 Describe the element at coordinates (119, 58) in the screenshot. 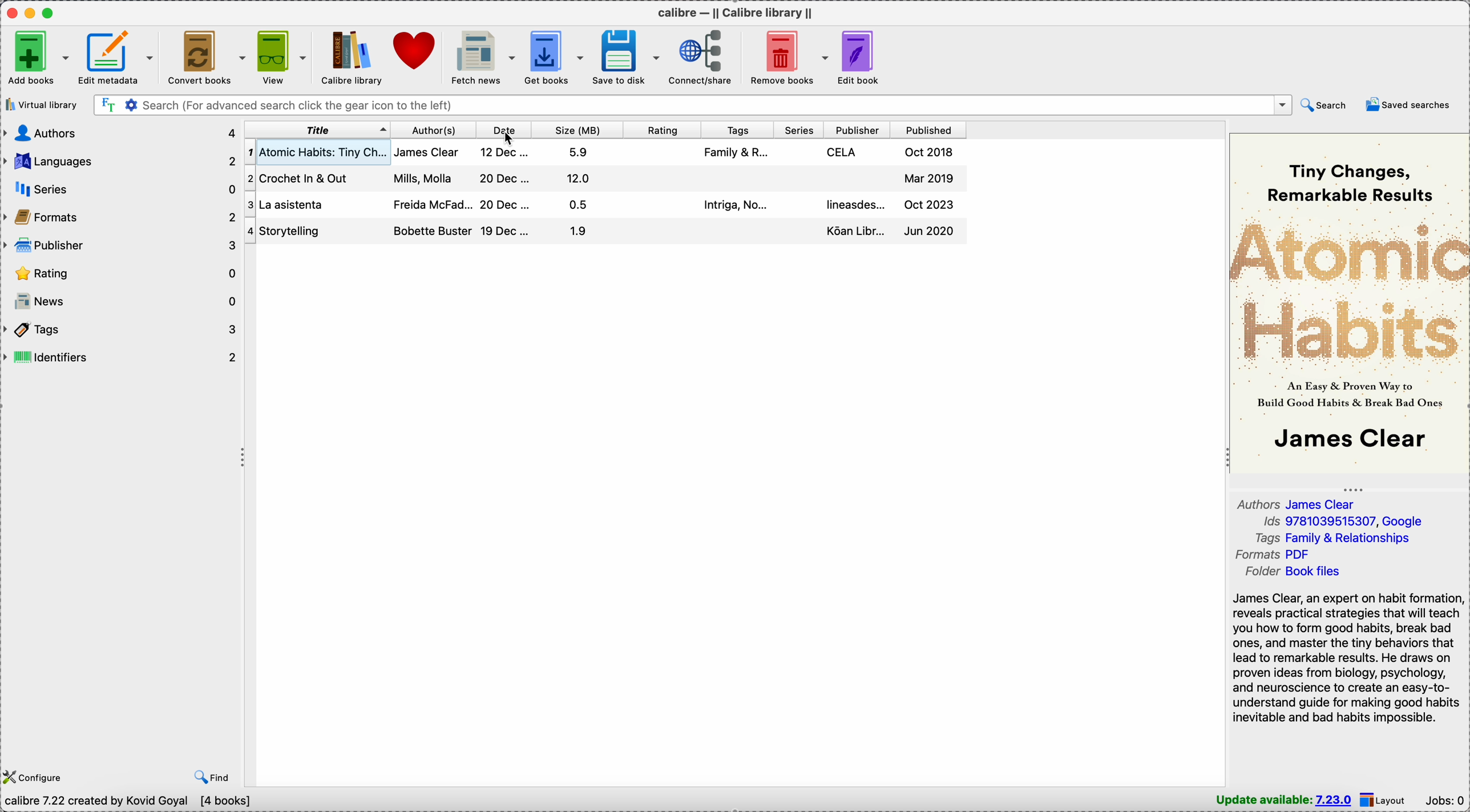

I see `edit metadata` at that location.